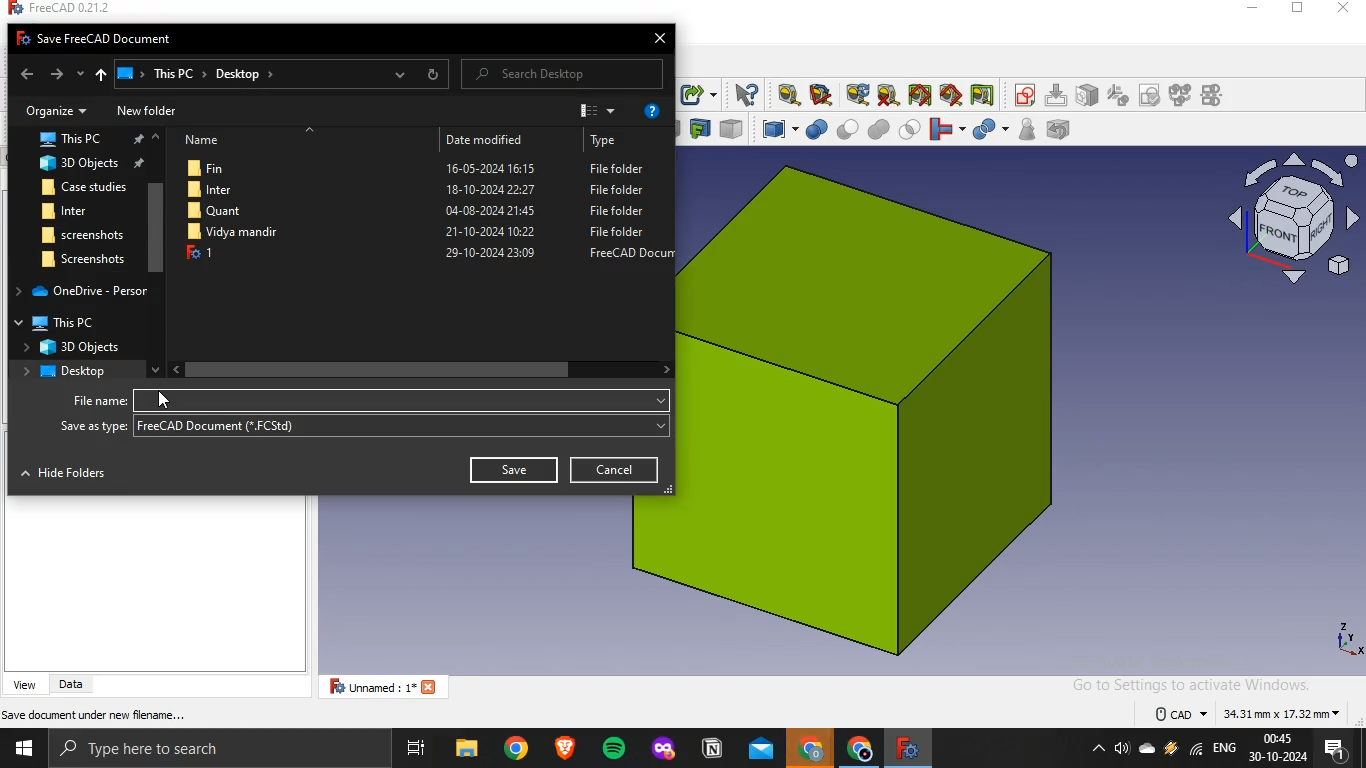 The image size is (1366, 768). Describe the element at coordinates (859, 749) in the screenshot. I see `google chrome` at that location.